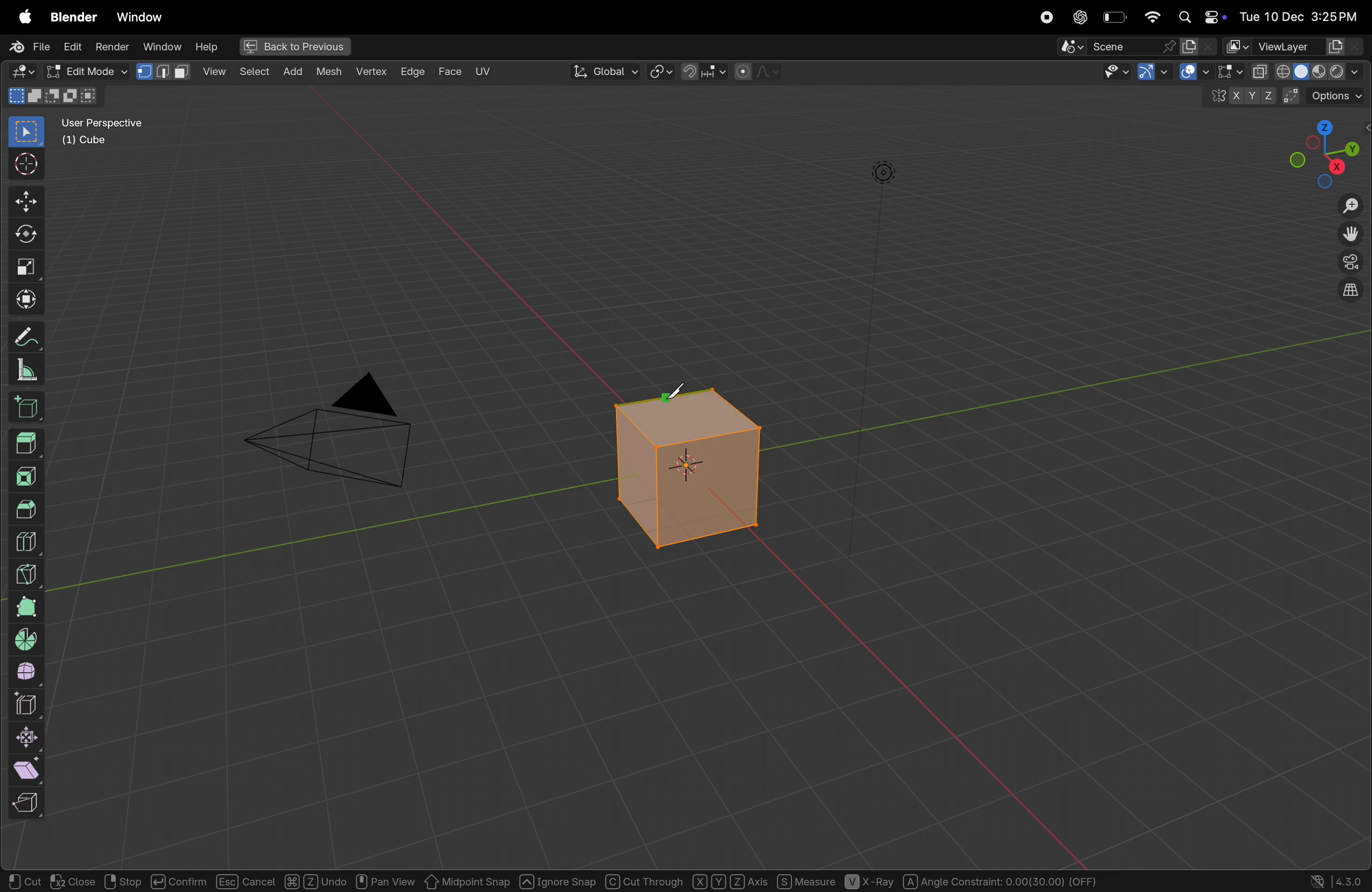  Describe the element at coordinates (84, 70) in the screenshot. I see `object mode` at that location.